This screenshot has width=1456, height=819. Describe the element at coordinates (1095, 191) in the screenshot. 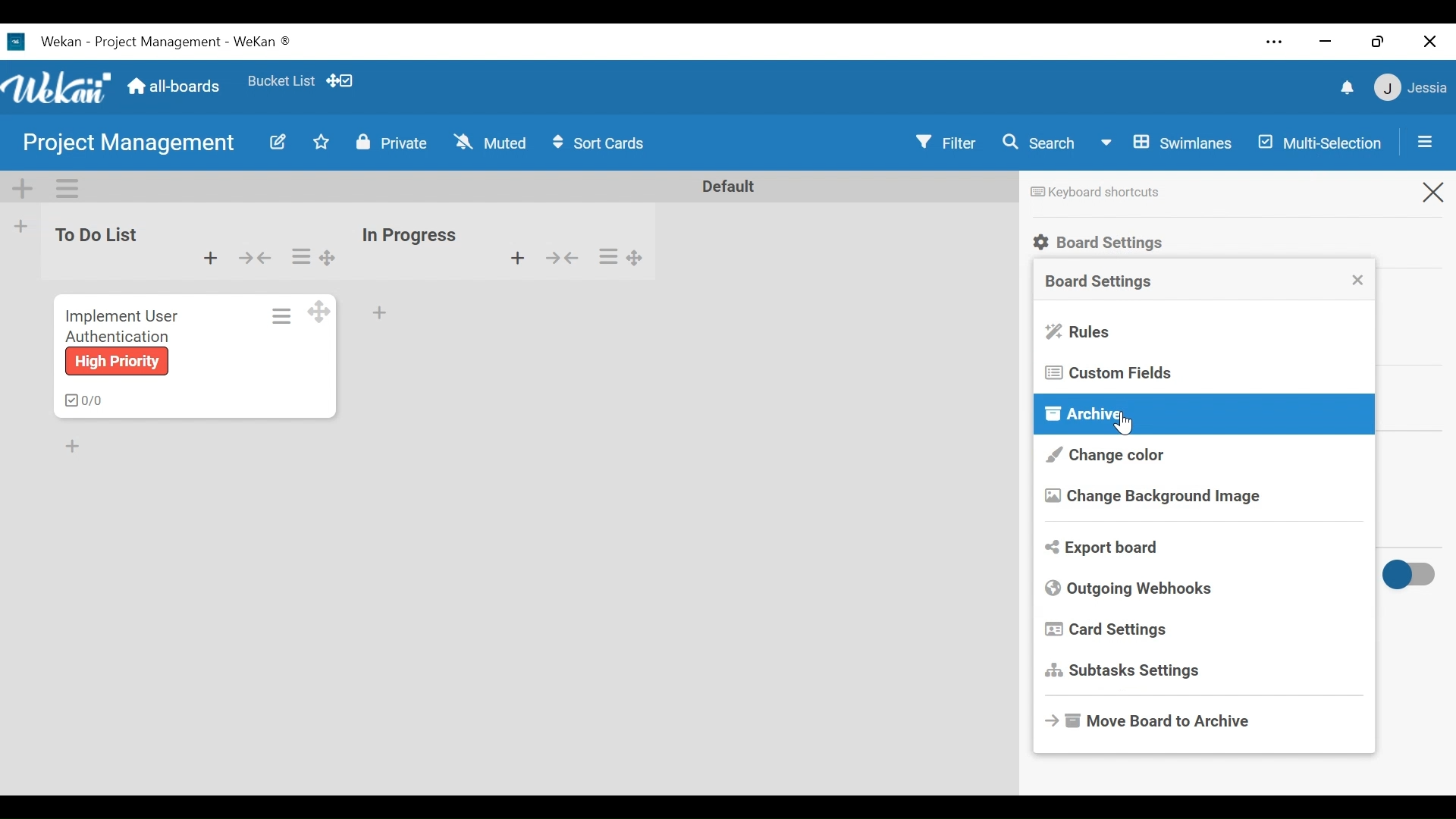

I see `Keyboard shortcut` at that location.